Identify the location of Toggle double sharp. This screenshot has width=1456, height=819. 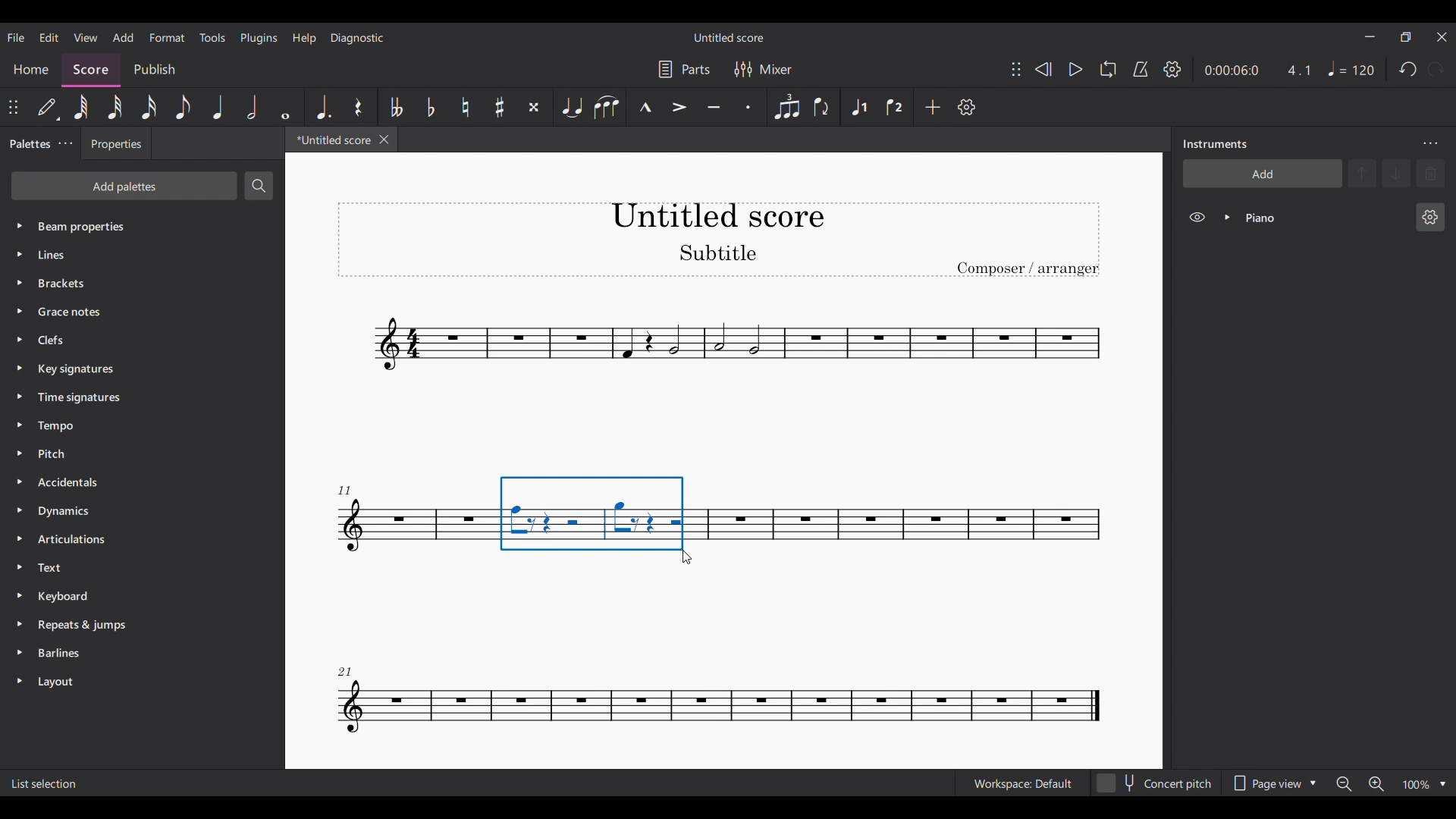
(535, 107).